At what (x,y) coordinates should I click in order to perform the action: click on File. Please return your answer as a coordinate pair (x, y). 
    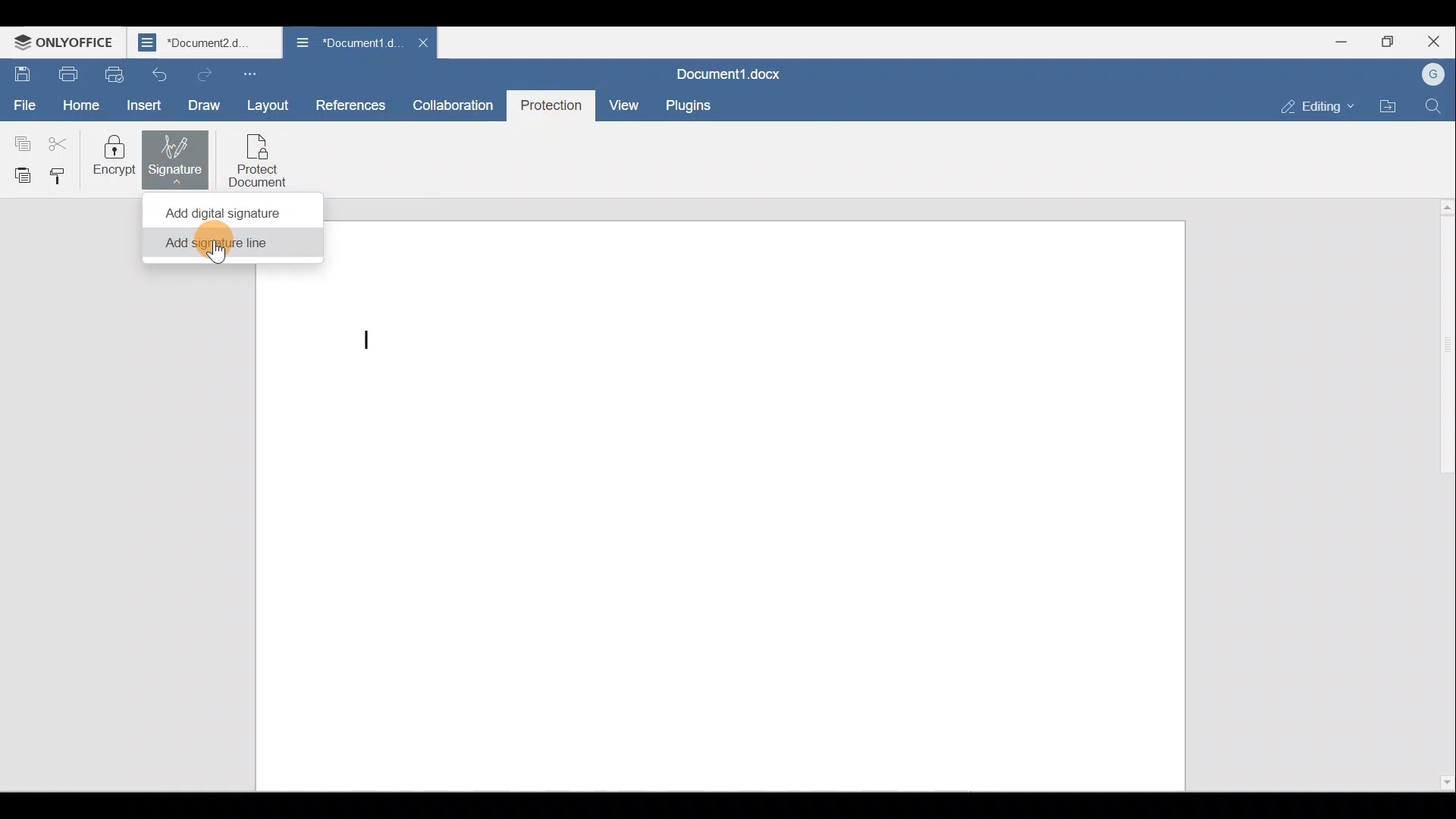
    Looking at the image, I should click on (23, 106).